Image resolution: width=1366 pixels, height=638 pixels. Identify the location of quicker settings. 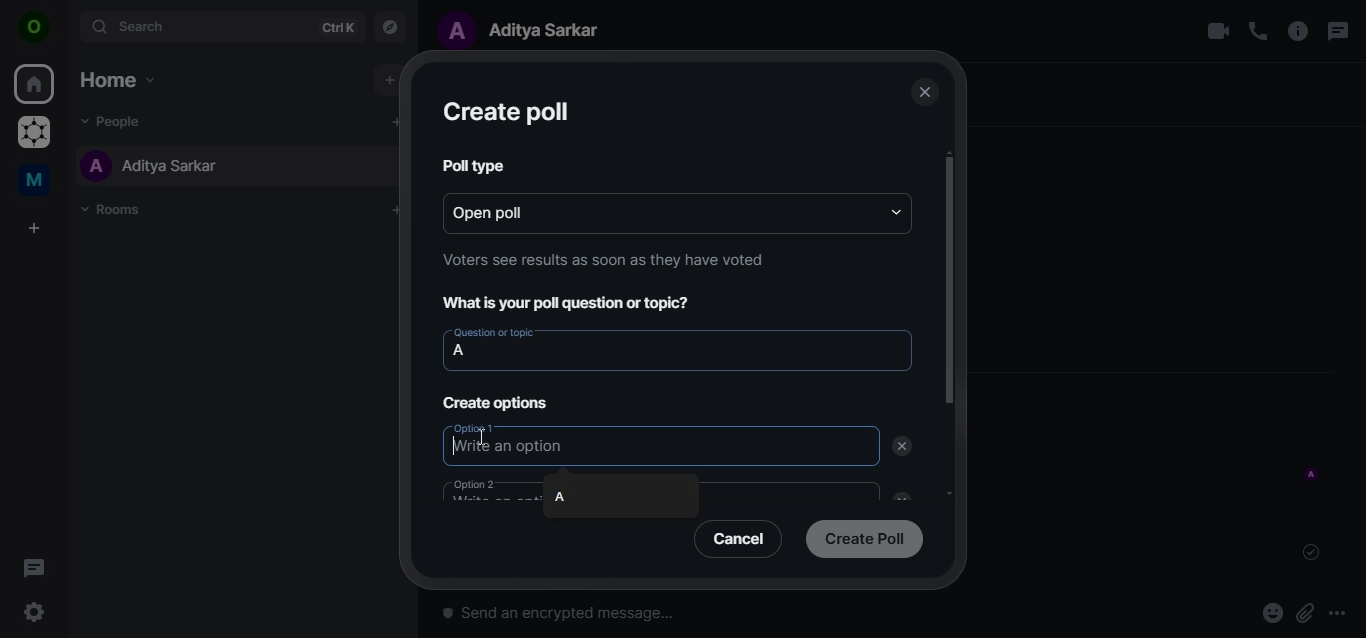
(37, 613).